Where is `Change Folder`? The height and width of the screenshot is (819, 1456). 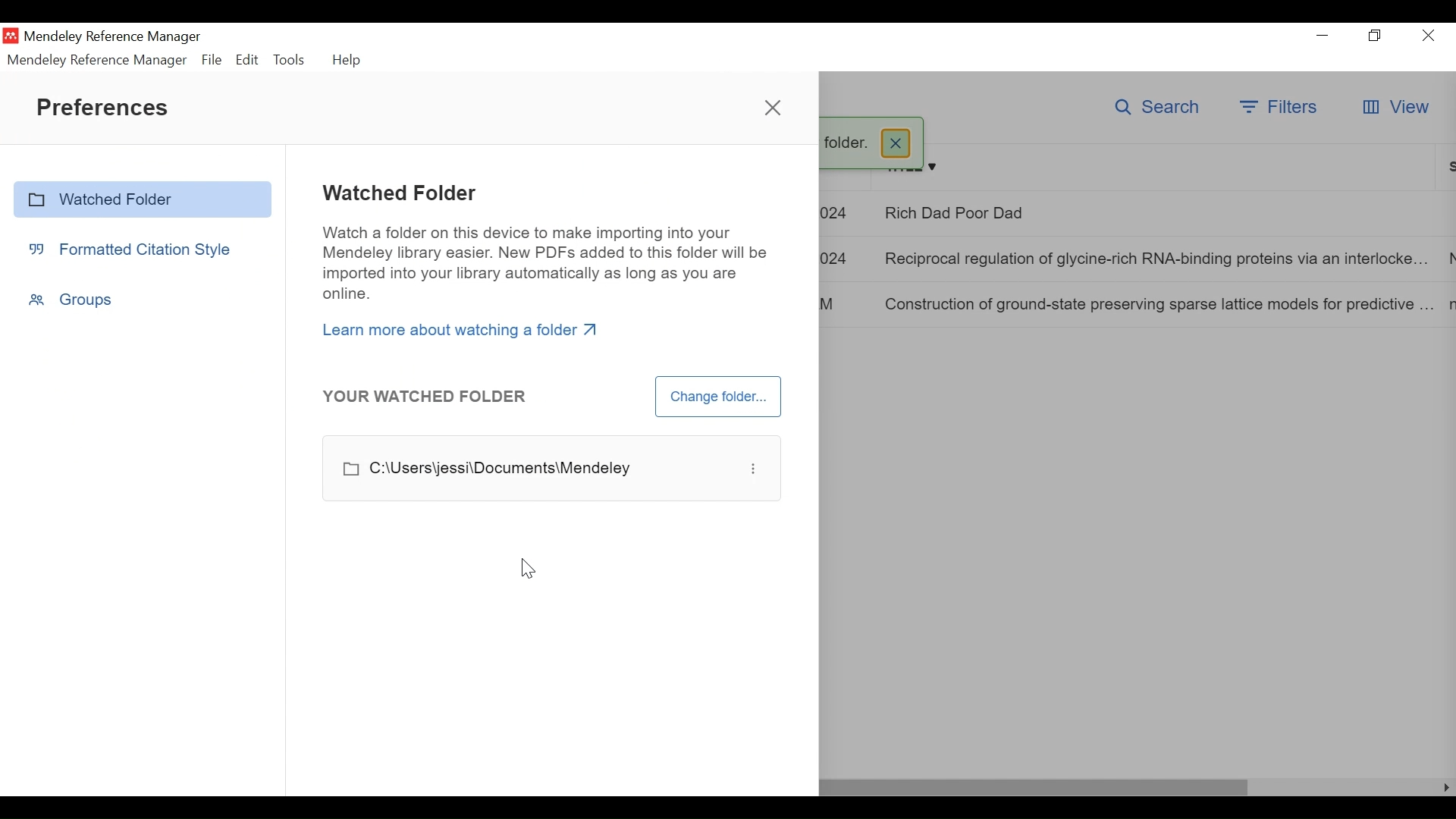
Change Folder is located at coordinates (720, 395).